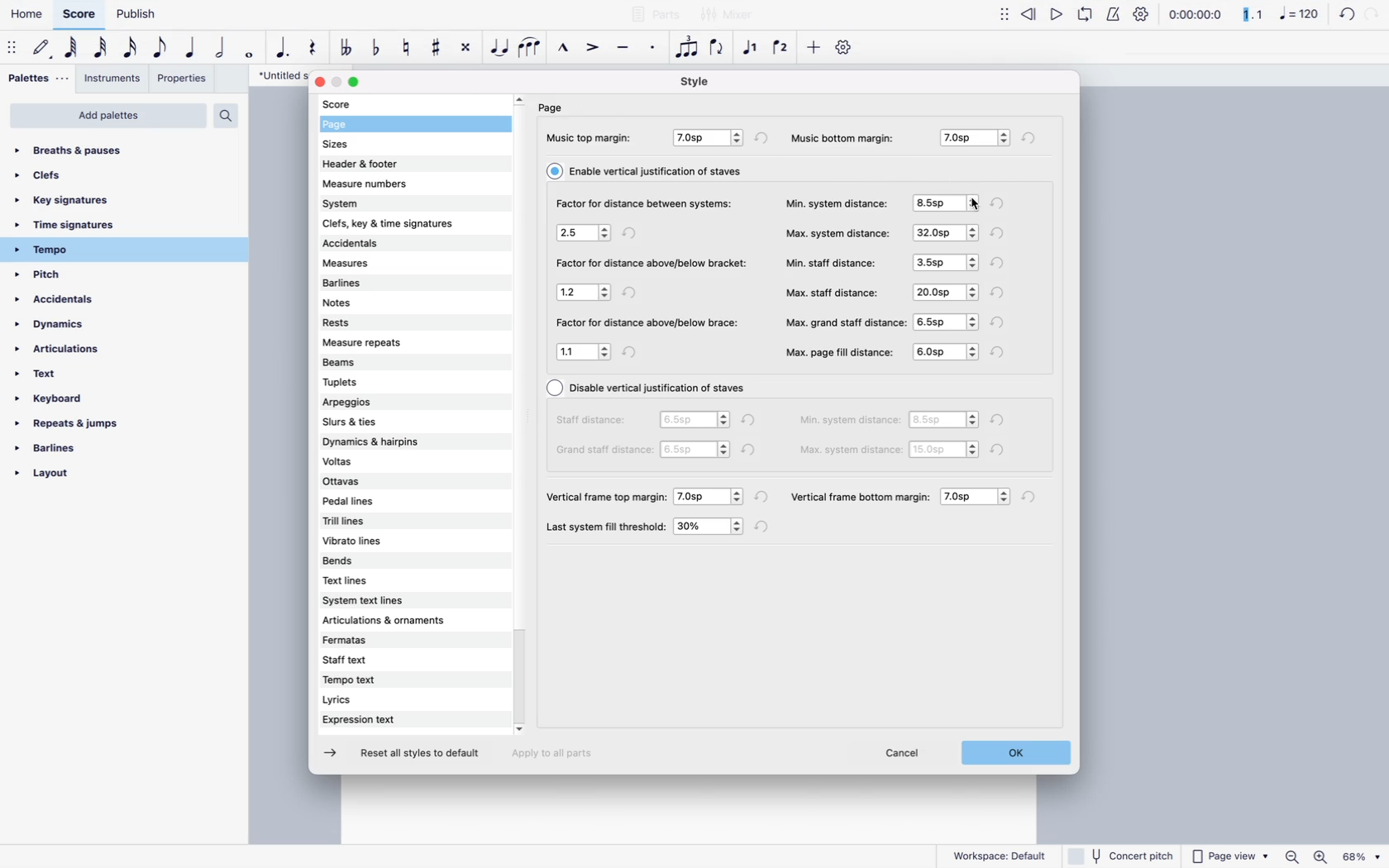 This screenshot has width=1389, height=868. I want to click on cancel, so click(906, 755).